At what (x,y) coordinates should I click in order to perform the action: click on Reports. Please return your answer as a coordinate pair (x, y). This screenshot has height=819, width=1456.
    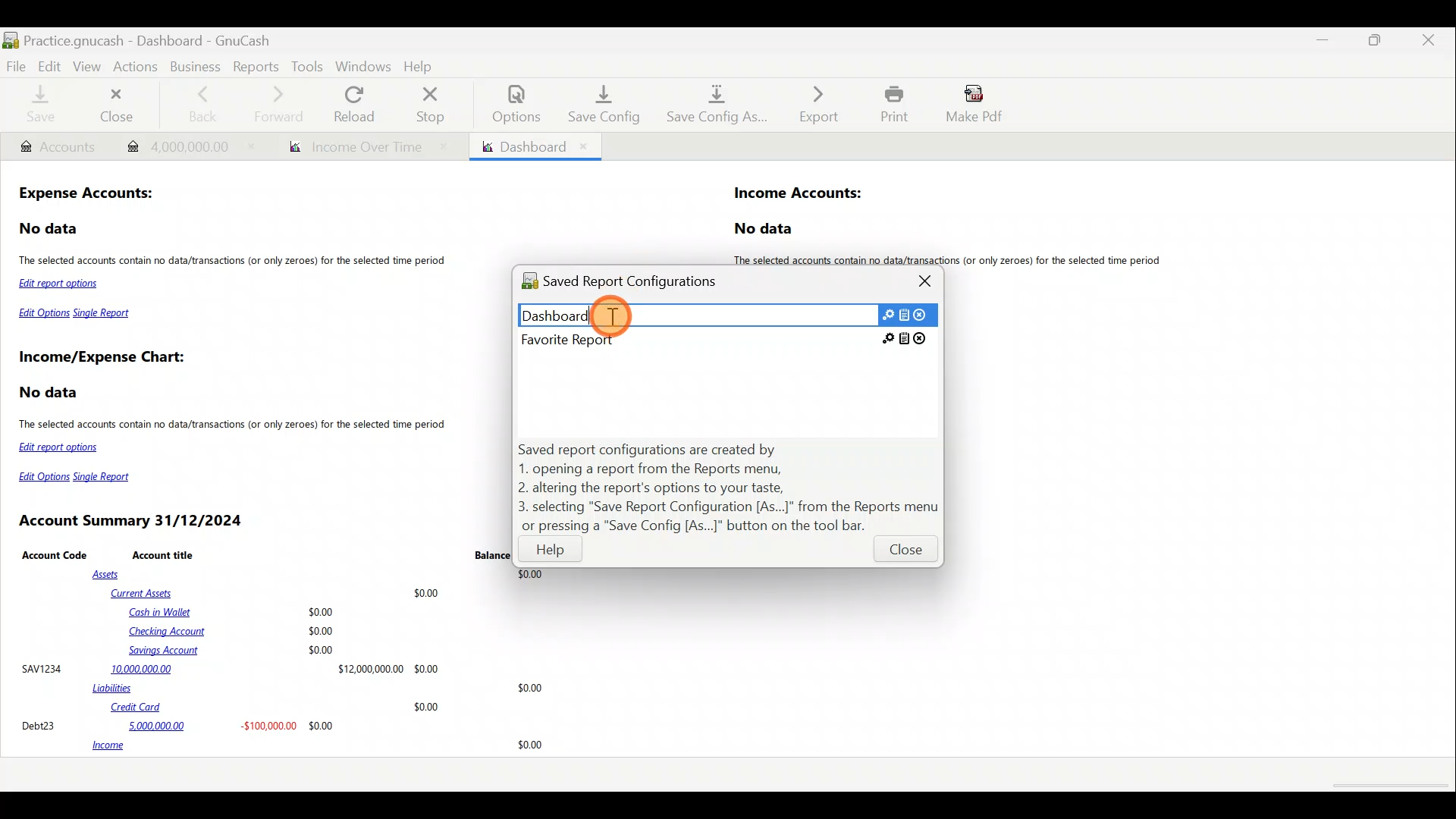
    Looking at the image, I should click on (254, 65).